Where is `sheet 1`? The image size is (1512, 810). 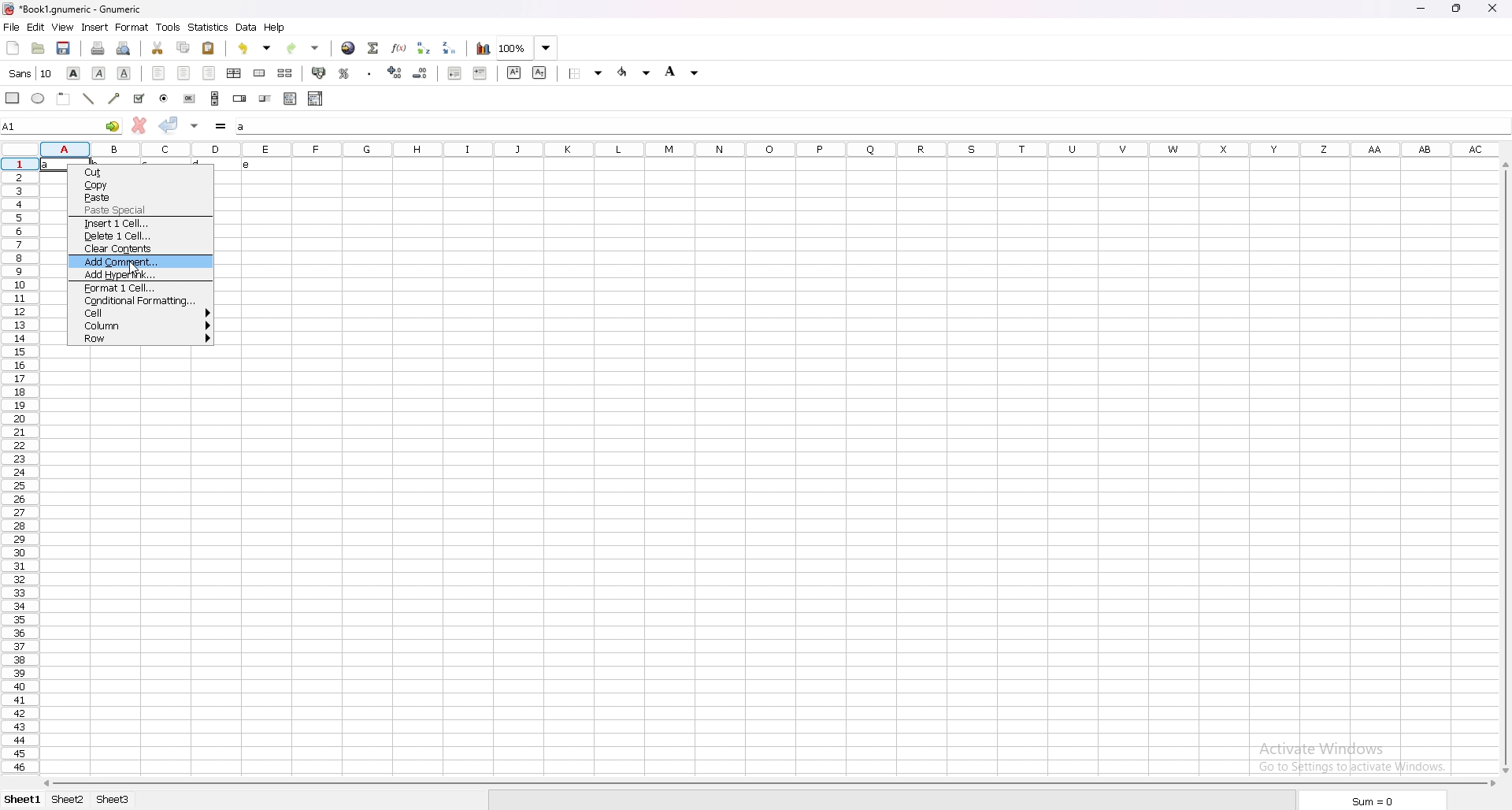 sheet 1 is located at coordinates (23, 799).